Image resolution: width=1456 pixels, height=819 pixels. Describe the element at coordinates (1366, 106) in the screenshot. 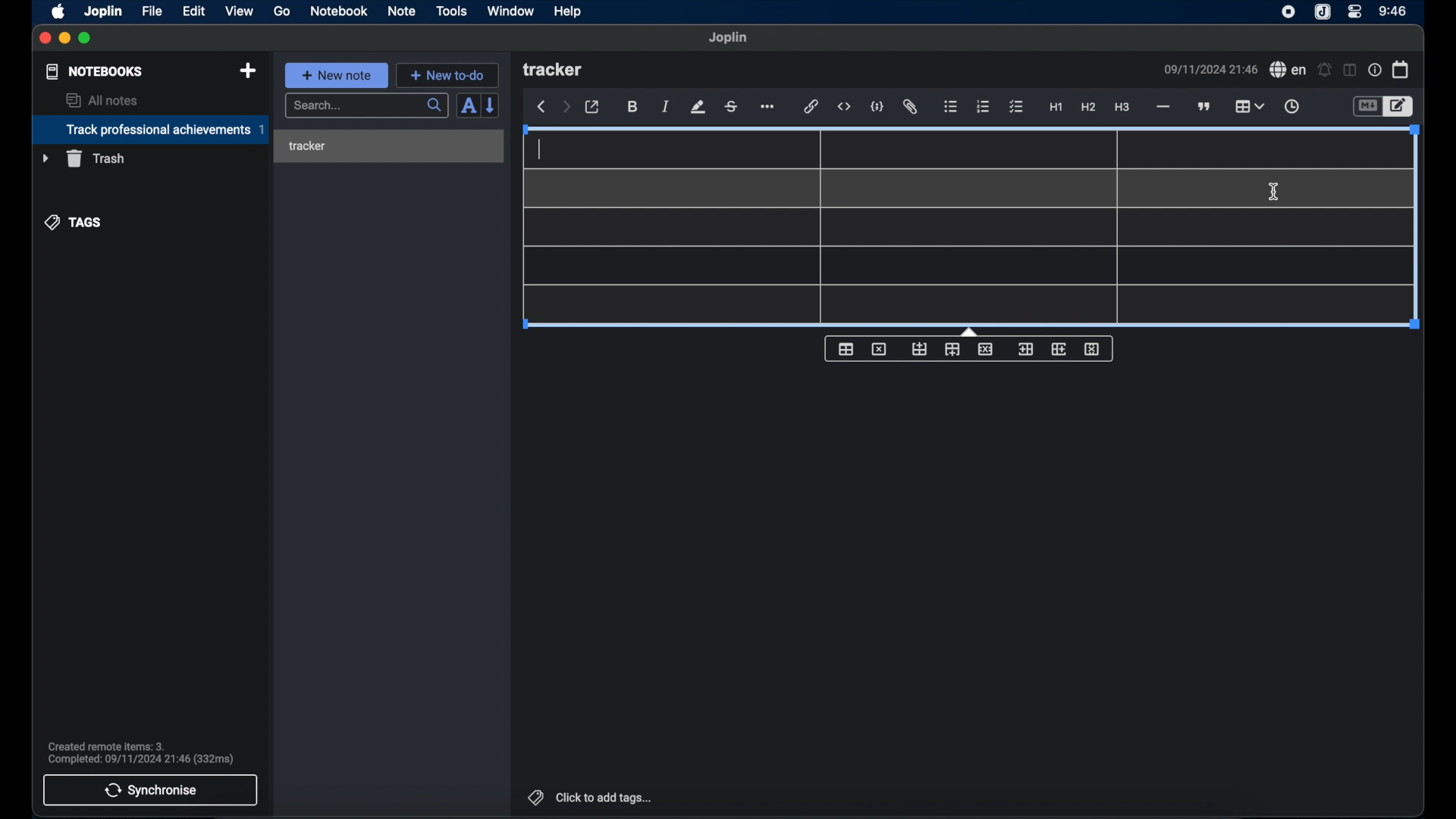

I see `toggle editor` at that location.